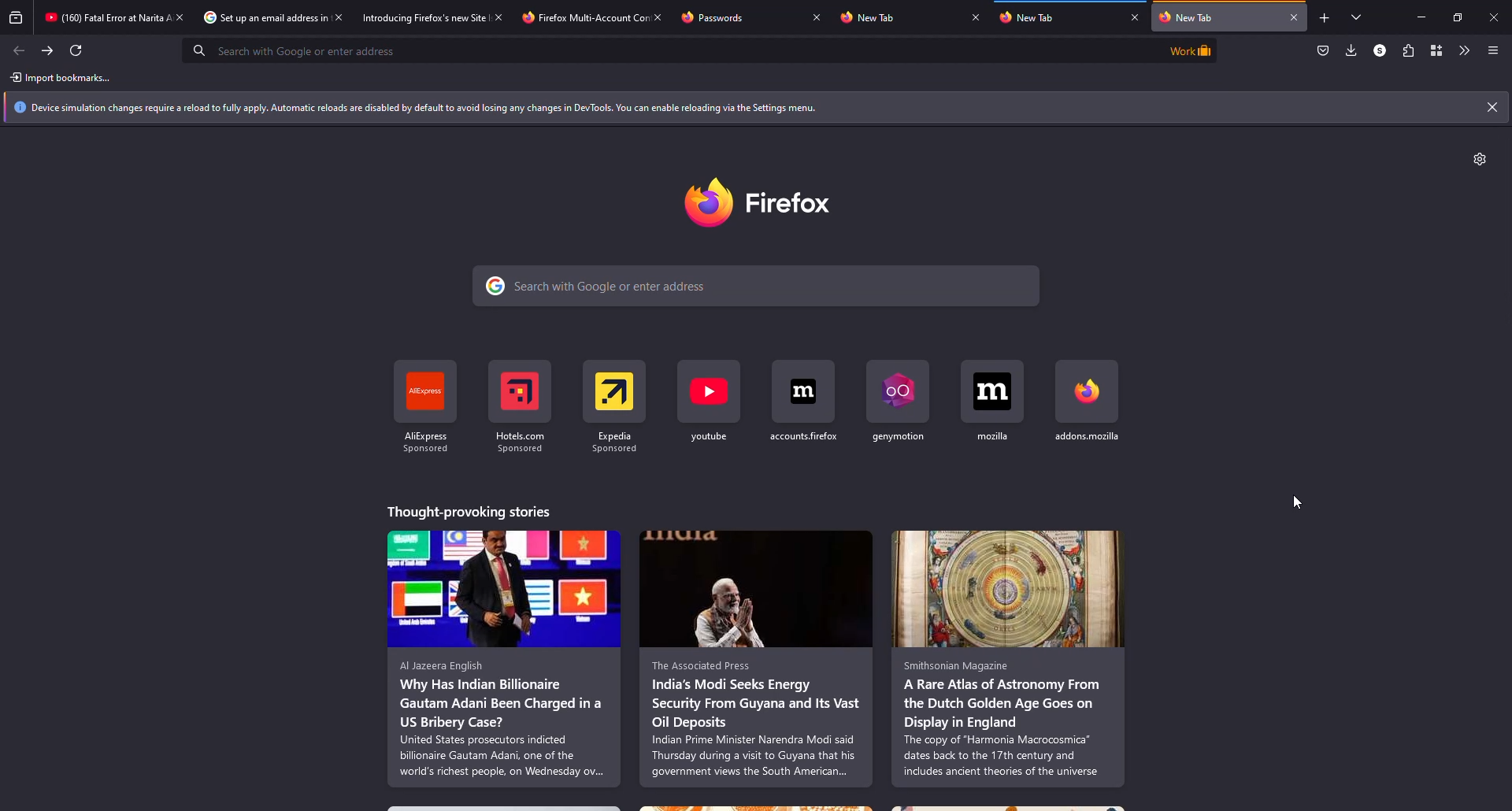  Describe the element at coordinates (575, 19) in the screenshot. I see `tab` at that location.